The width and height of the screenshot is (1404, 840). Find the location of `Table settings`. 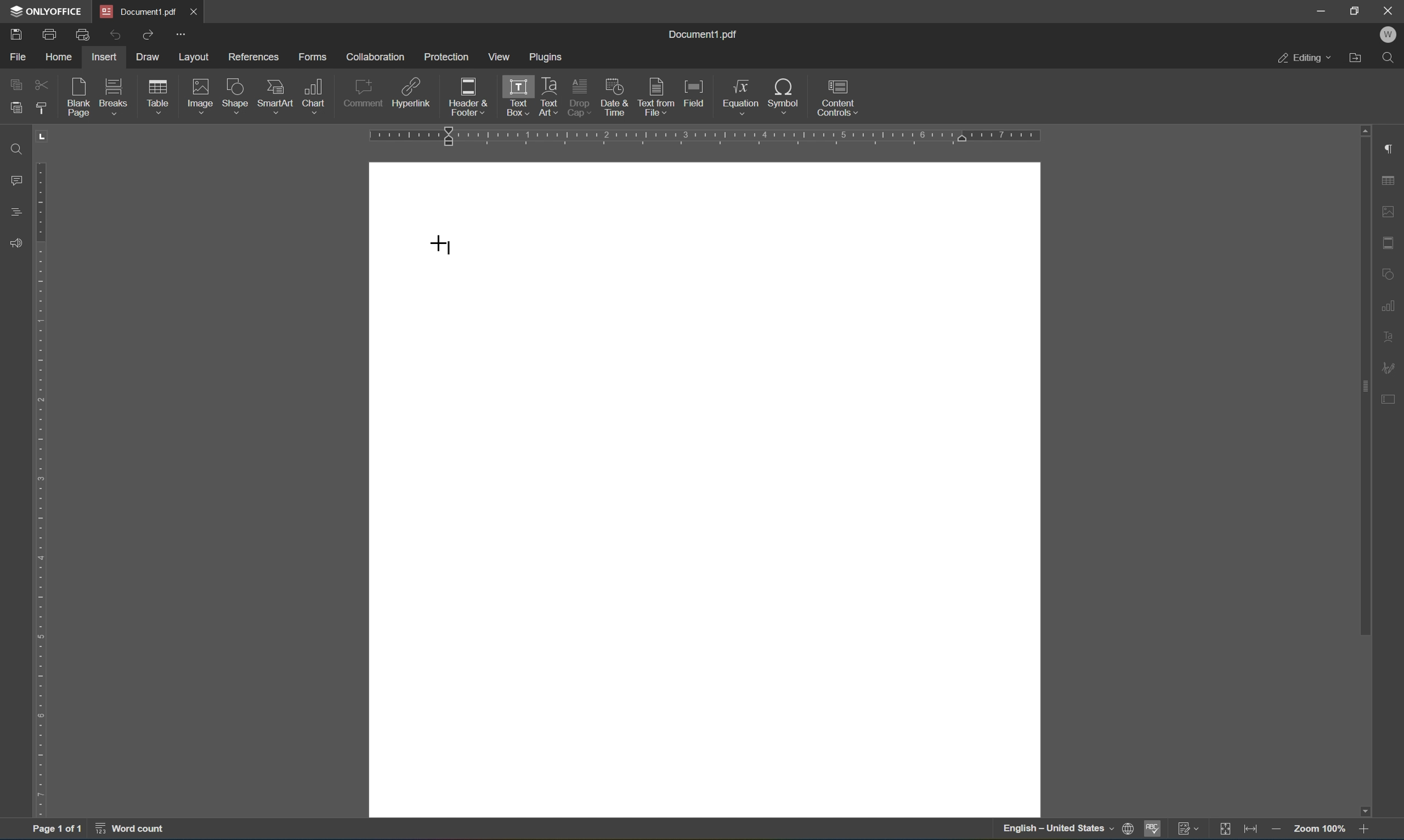

Table settings is located at coordinates (1389, 181).